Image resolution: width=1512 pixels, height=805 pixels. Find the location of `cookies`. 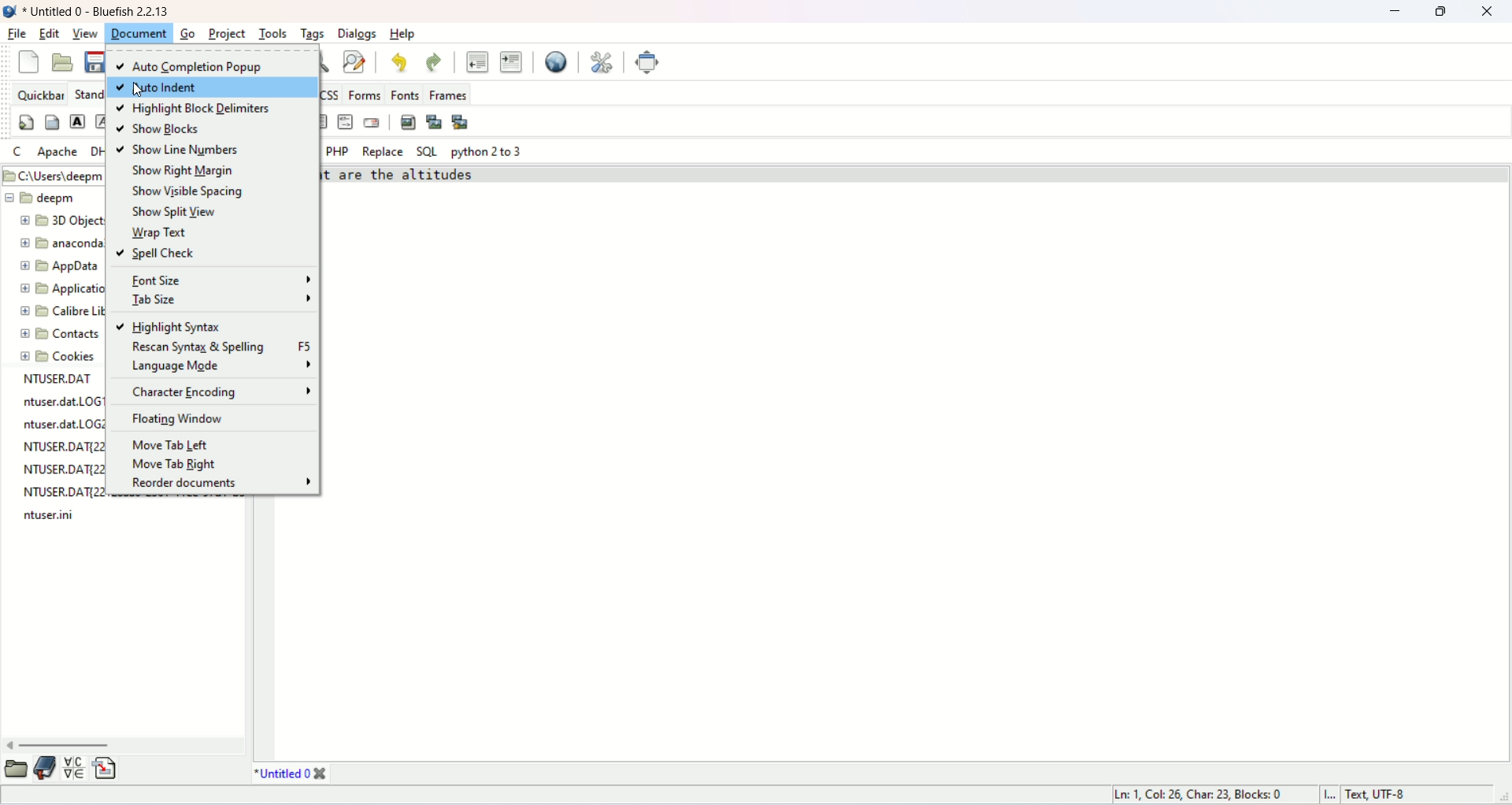

cookies is located at coordinates (60, 358).